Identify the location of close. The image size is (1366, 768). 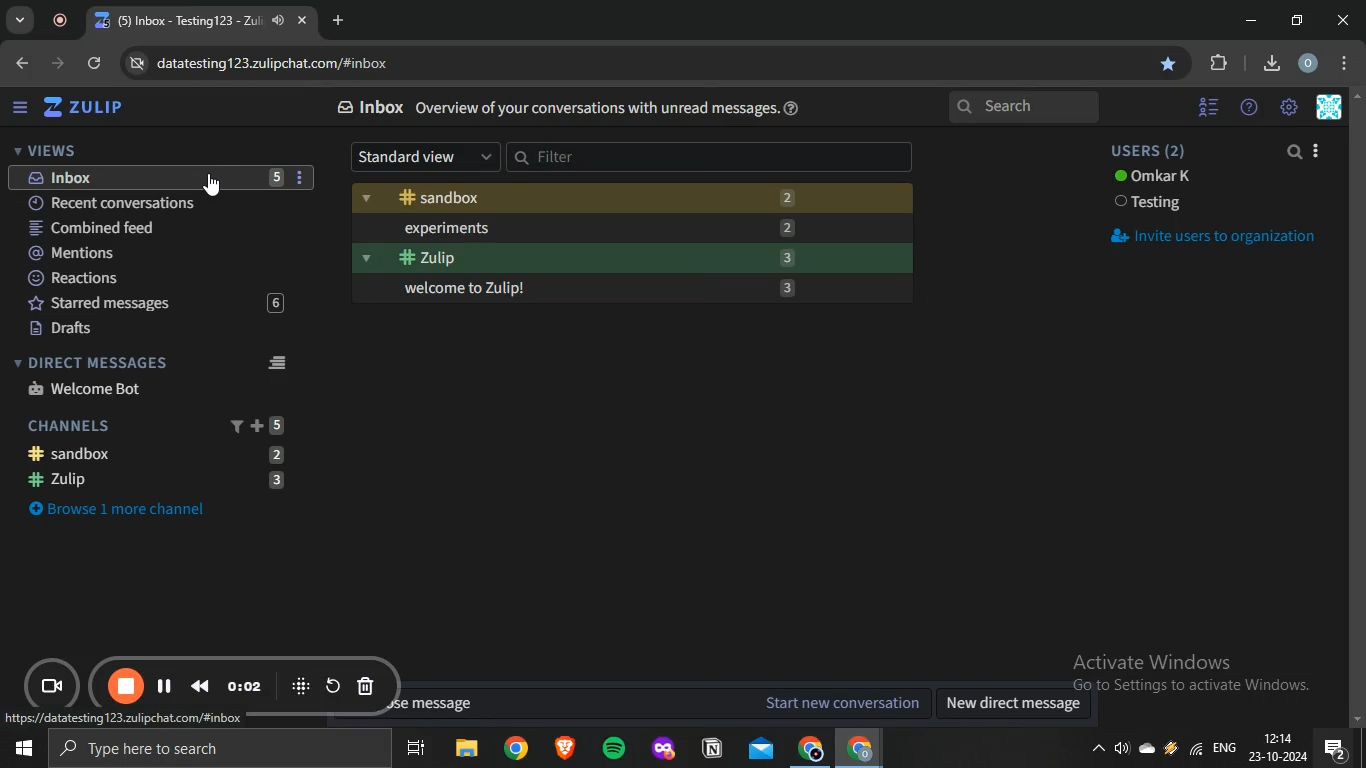
(1346, 20).